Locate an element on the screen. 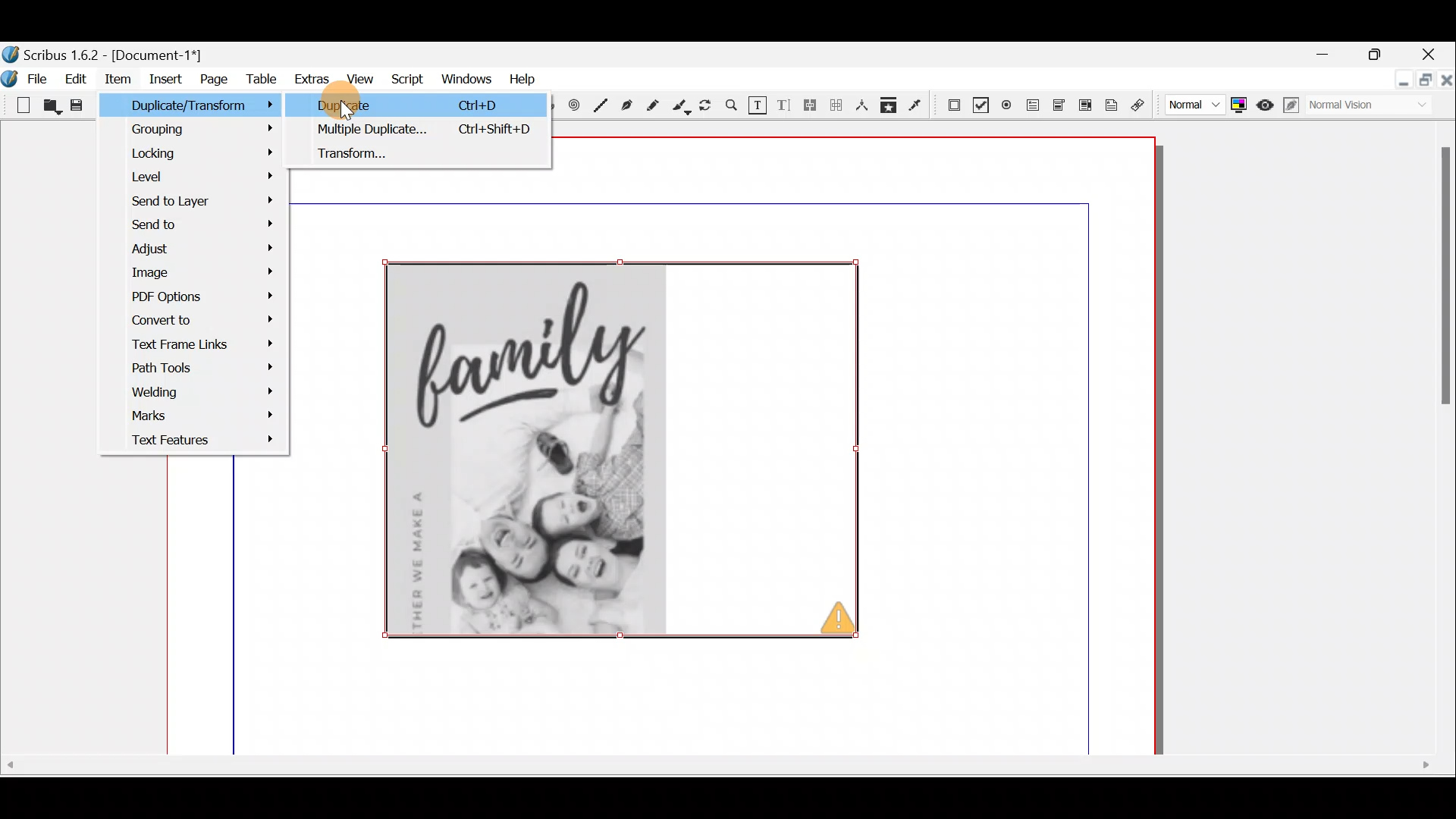 This screenshot has height=819, width=1456. Send to is located at coordinates (199, 226).